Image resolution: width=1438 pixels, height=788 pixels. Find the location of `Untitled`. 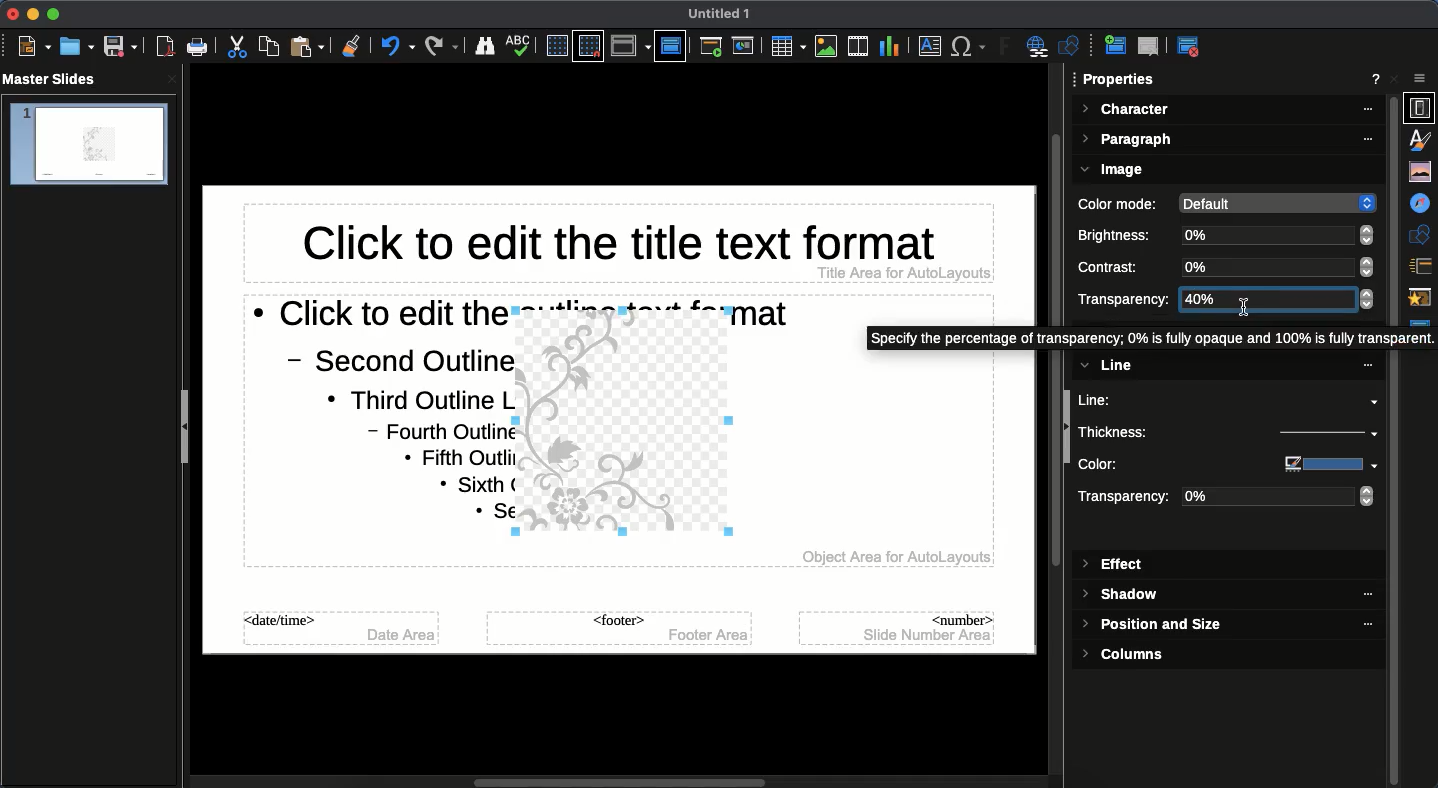

Untitled is located at coordinates (720, 14).